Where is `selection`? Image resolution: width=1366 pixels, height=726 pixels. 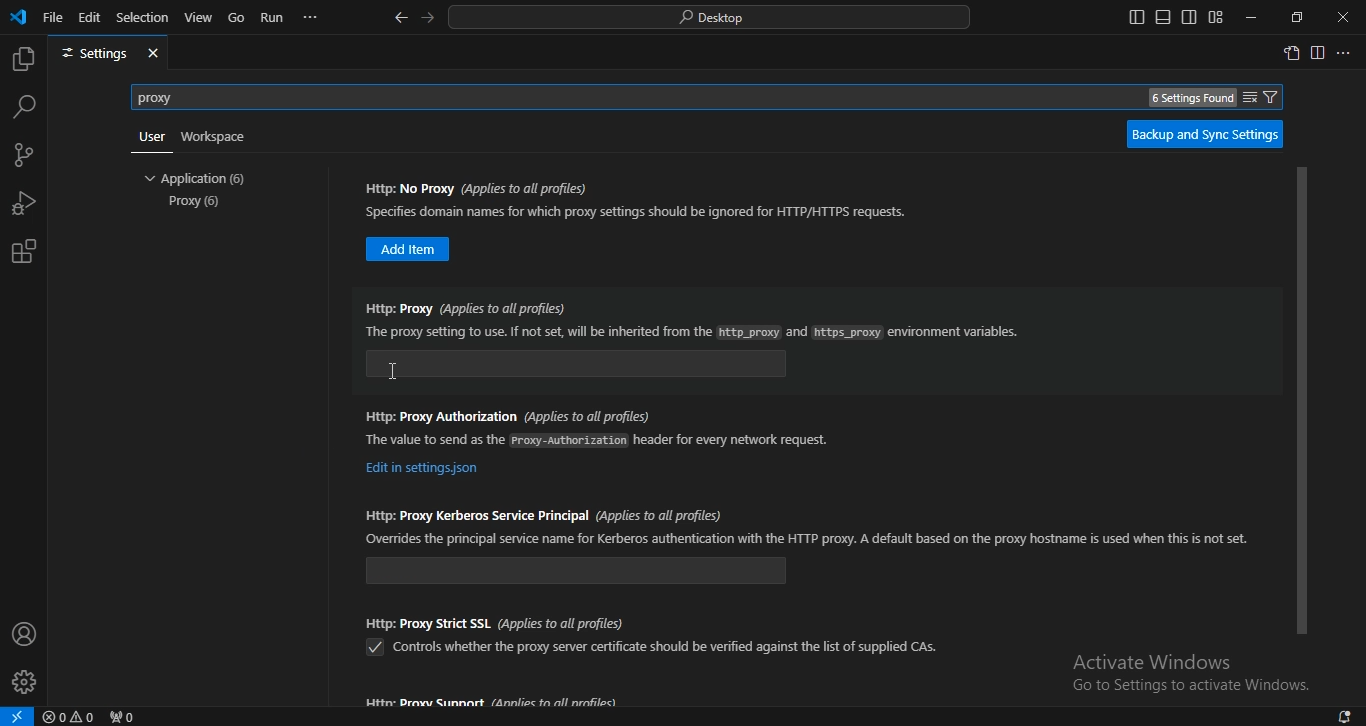 selection is located at coordinates (144, 18).